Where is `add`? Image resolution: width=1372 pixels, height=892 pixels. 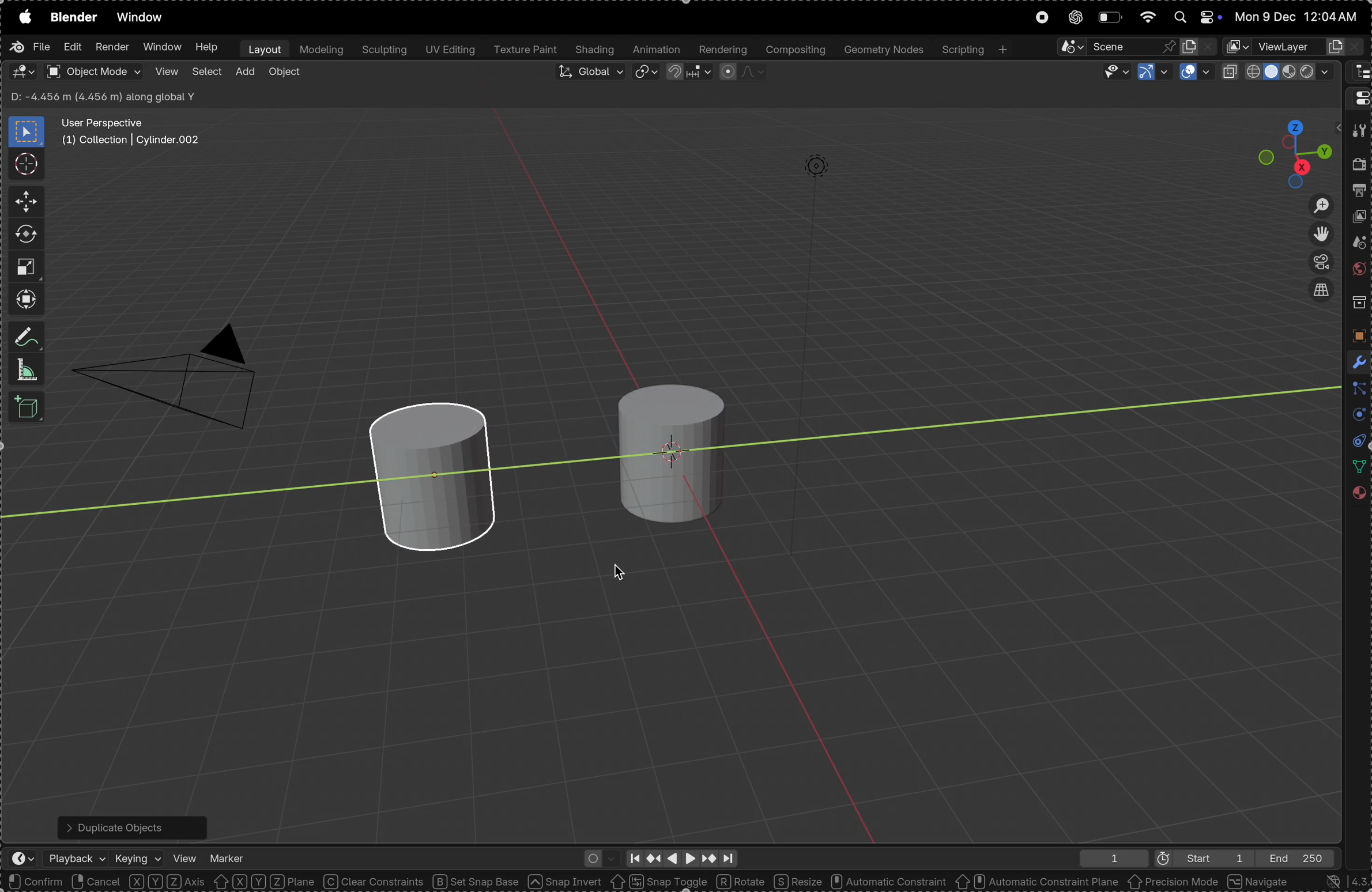 add is located at coordinates (244, 73).